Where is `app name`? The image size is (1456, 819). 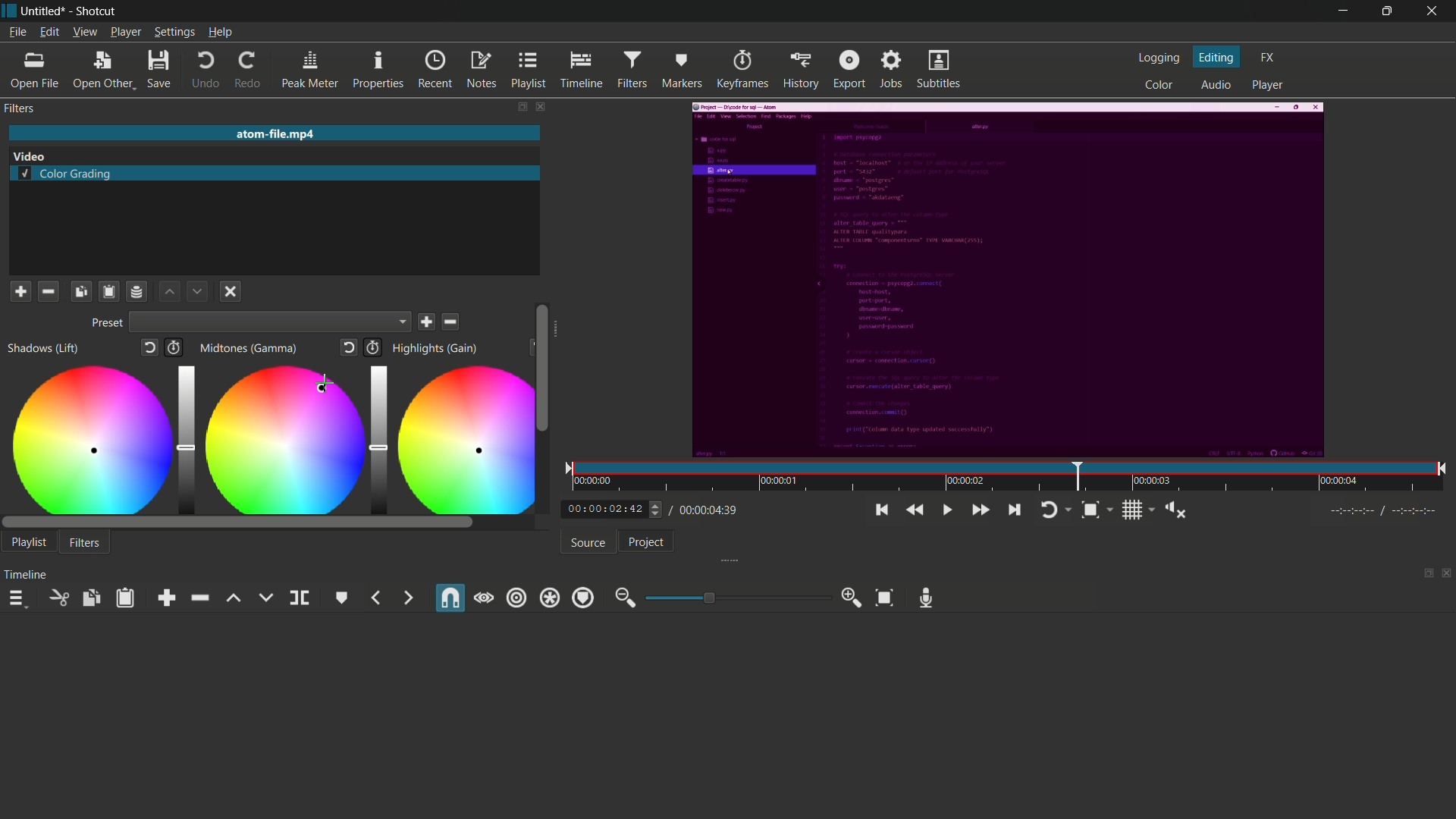 app name is located at coordinates (96, 11).